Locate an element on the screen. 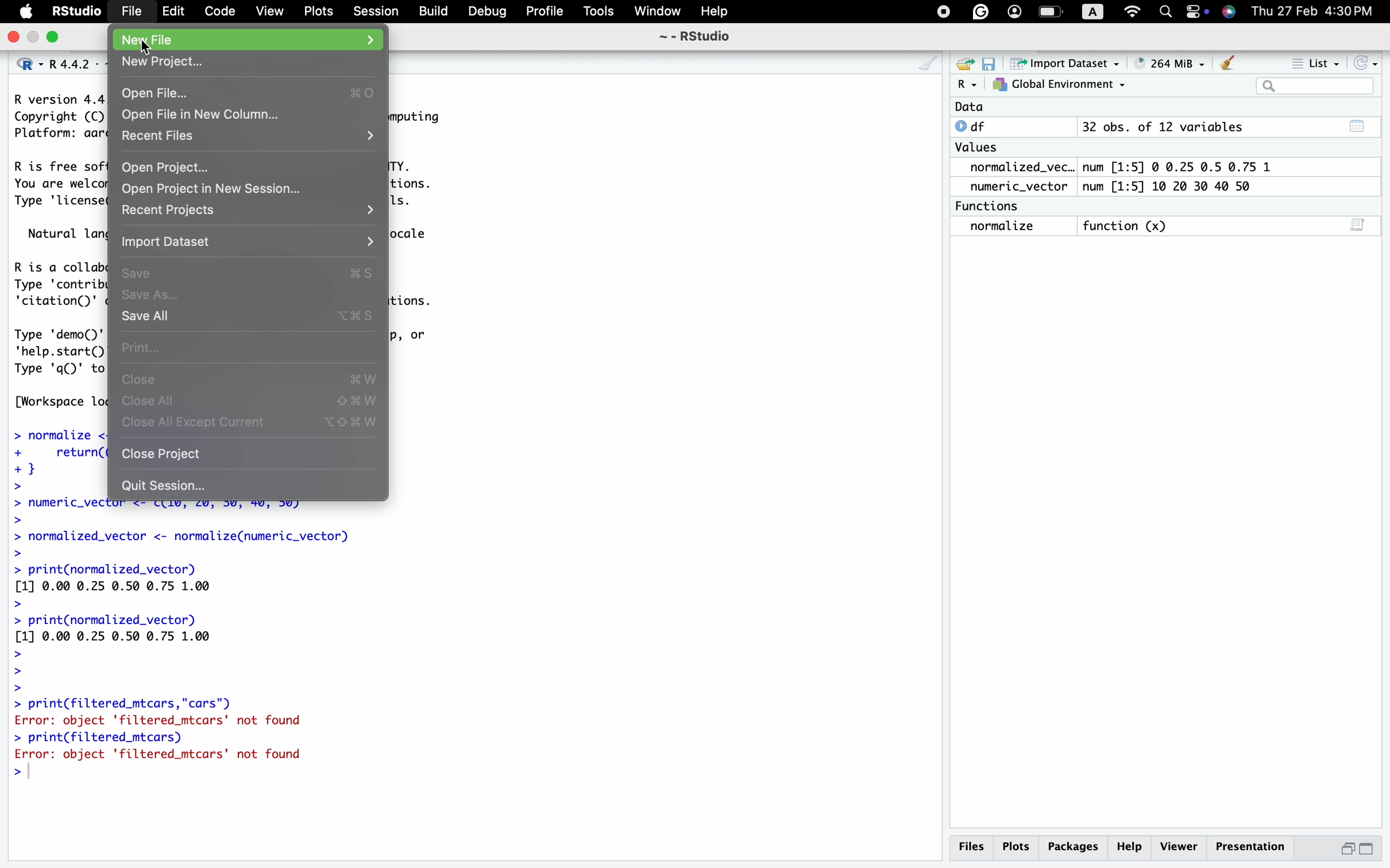  save is located at coordinates (250, 273).